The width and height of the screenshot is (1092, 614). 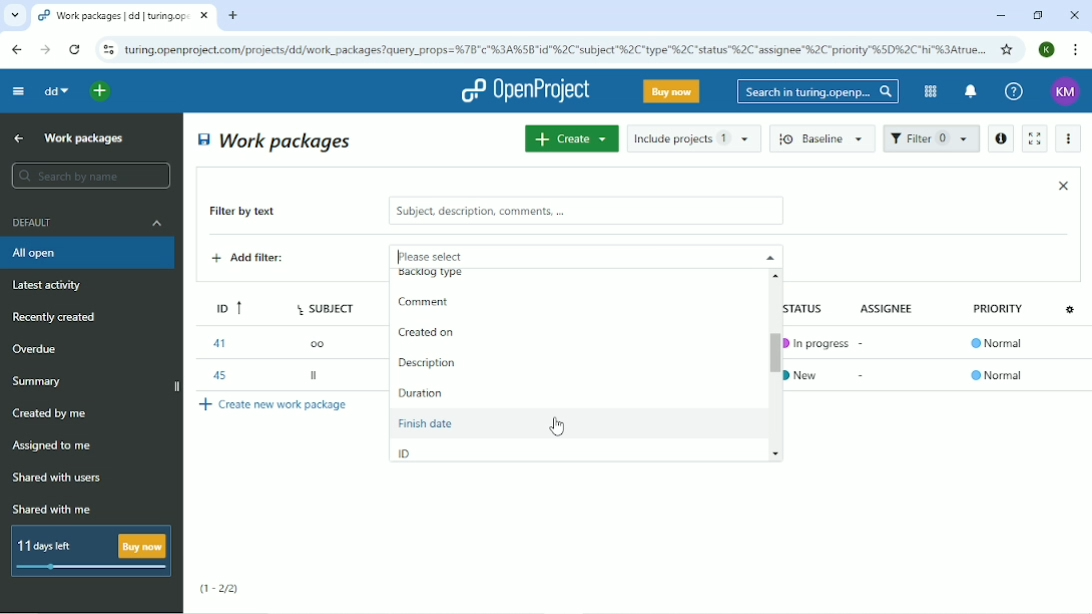 What do you see at coordinates (1000, 16) in the screenshot?
I see `Minimize` at bounding box center [1000, 16].